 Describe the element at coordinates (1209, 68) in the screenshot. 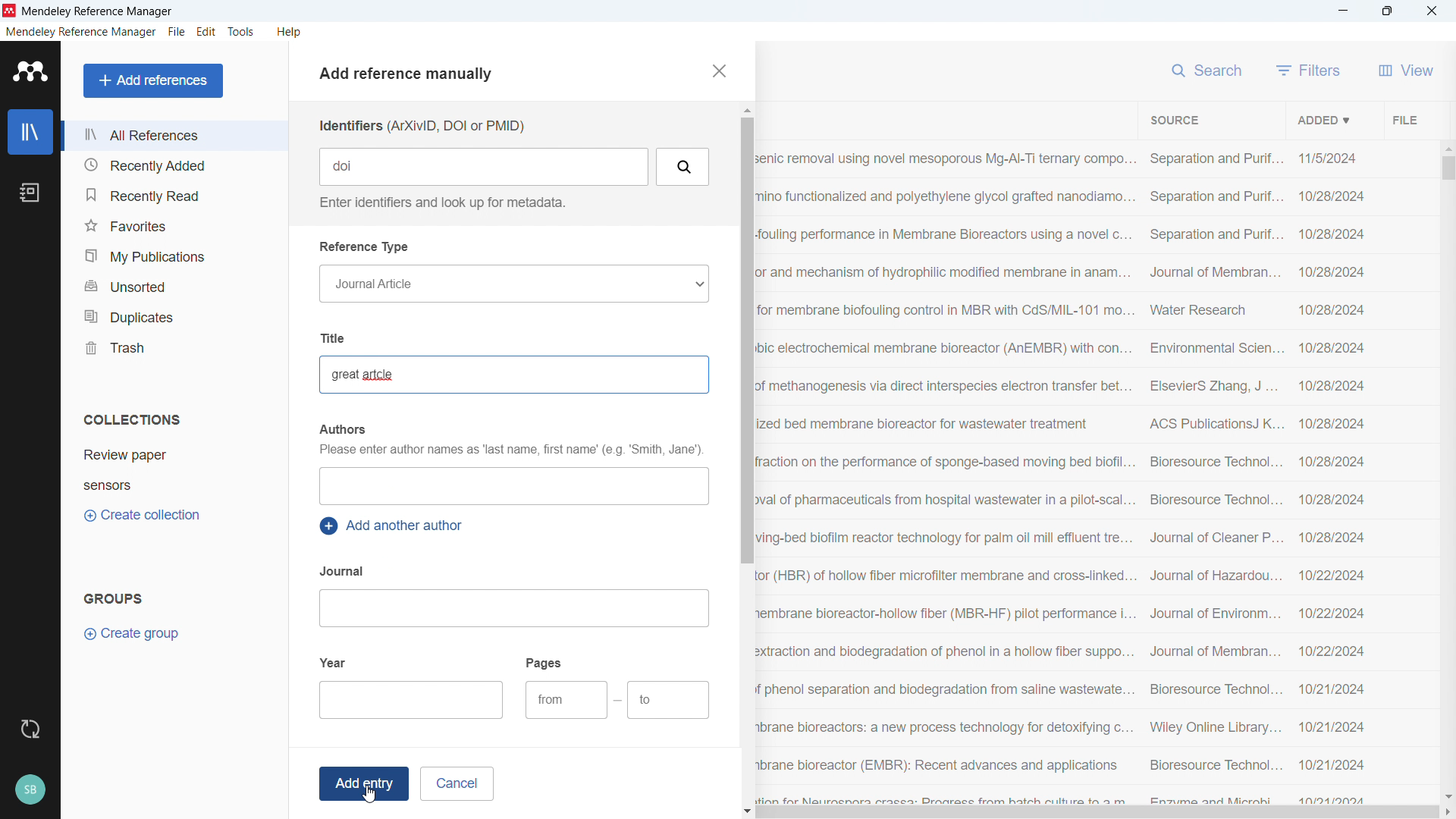

I see `search ` at that location.